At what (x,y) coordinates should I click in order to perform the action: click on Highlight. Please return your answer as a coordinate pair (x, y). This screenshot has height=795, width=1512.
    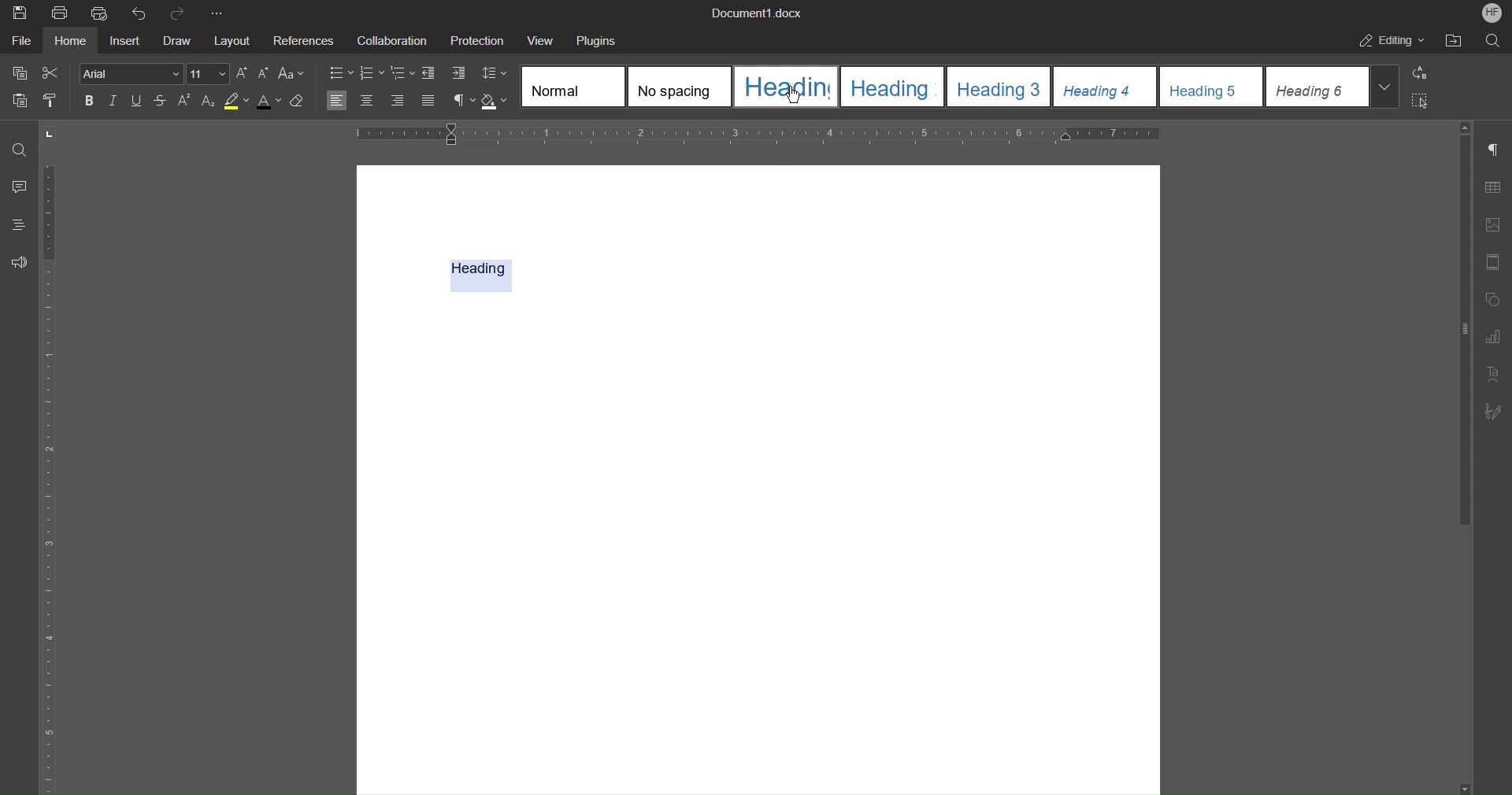
    Looking at the image, I should click on (237, 103).